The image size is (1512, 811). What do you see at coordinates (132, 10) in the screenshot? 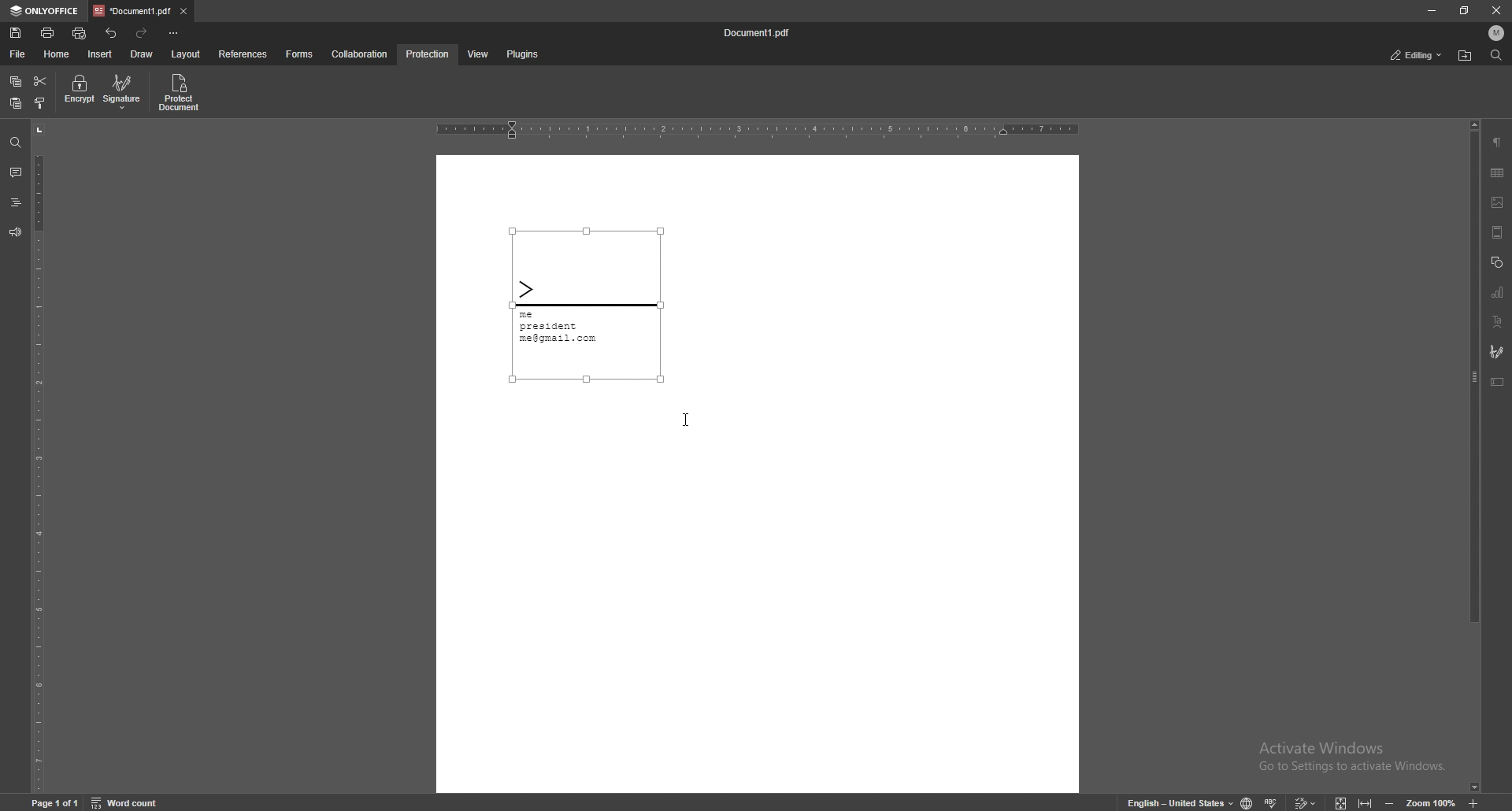
I see `tab` at bounding box center [132, 10].